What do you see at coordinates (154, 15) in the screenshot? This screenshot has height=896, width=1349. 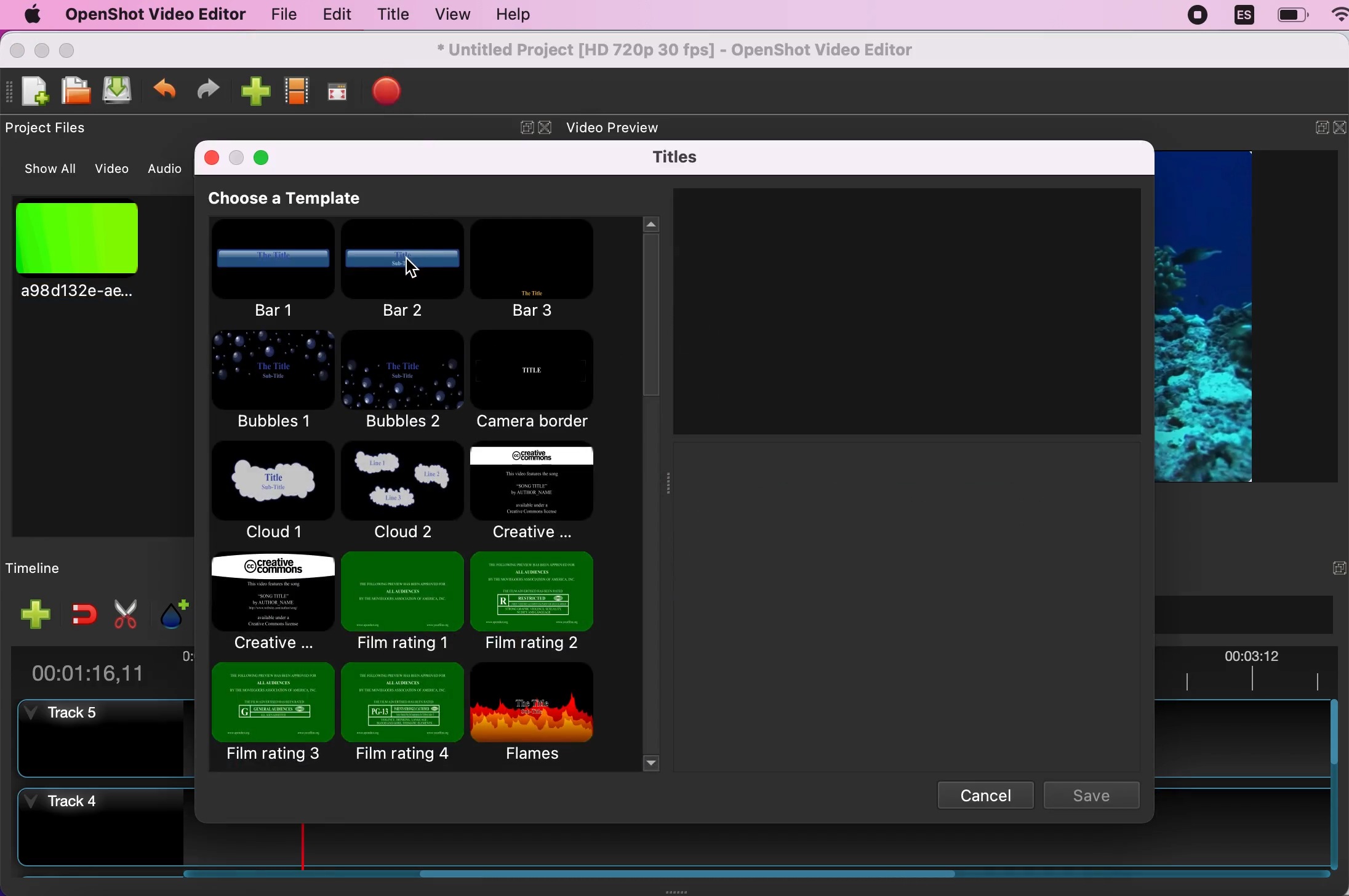 I see `openshot video editor` at bounding box center [154, 15].